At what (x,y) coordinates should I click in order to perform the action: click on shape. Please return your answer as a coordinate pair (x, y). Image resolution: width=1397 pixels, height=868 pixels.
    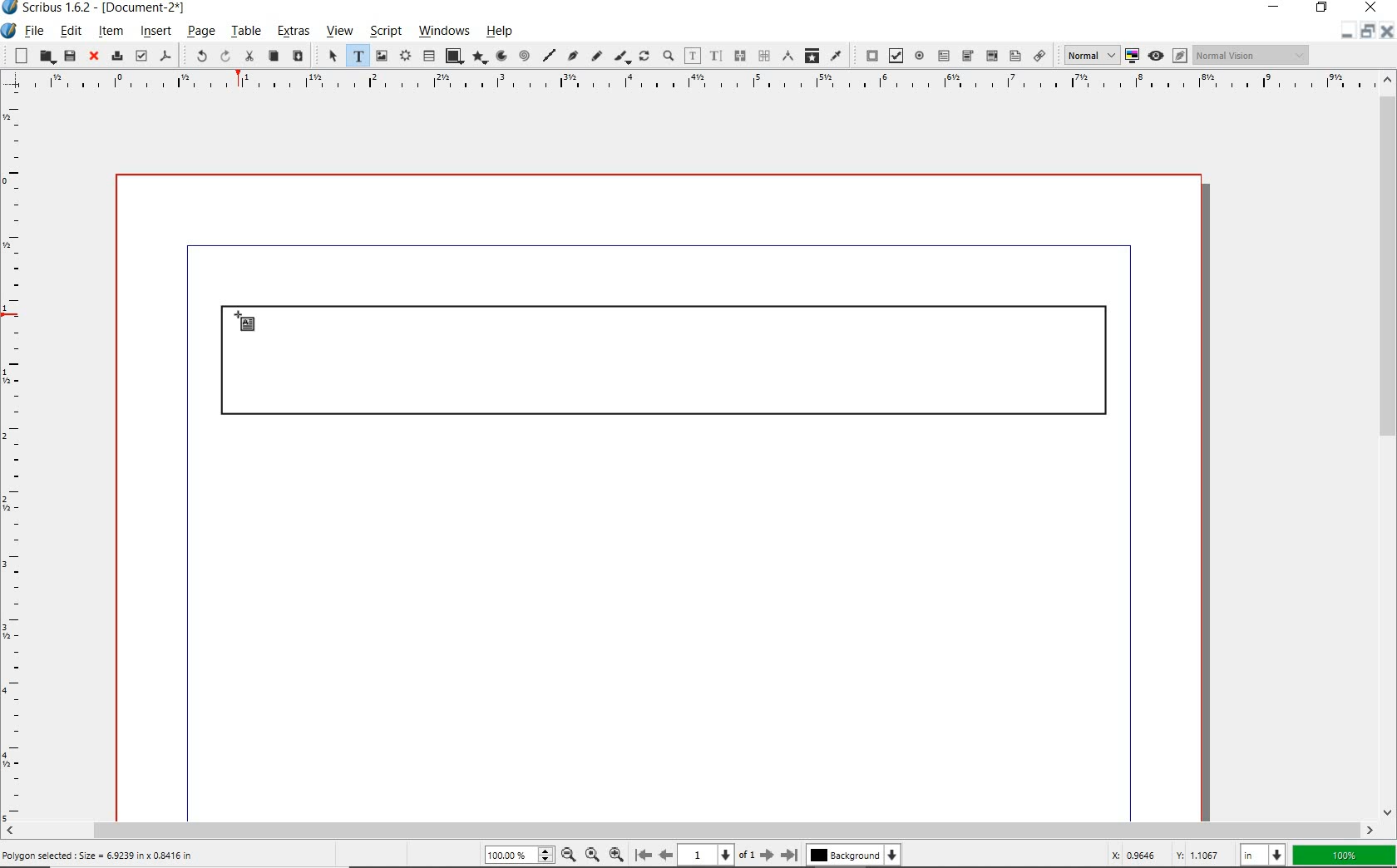
    Looking at the image, I should click on (454, 57).